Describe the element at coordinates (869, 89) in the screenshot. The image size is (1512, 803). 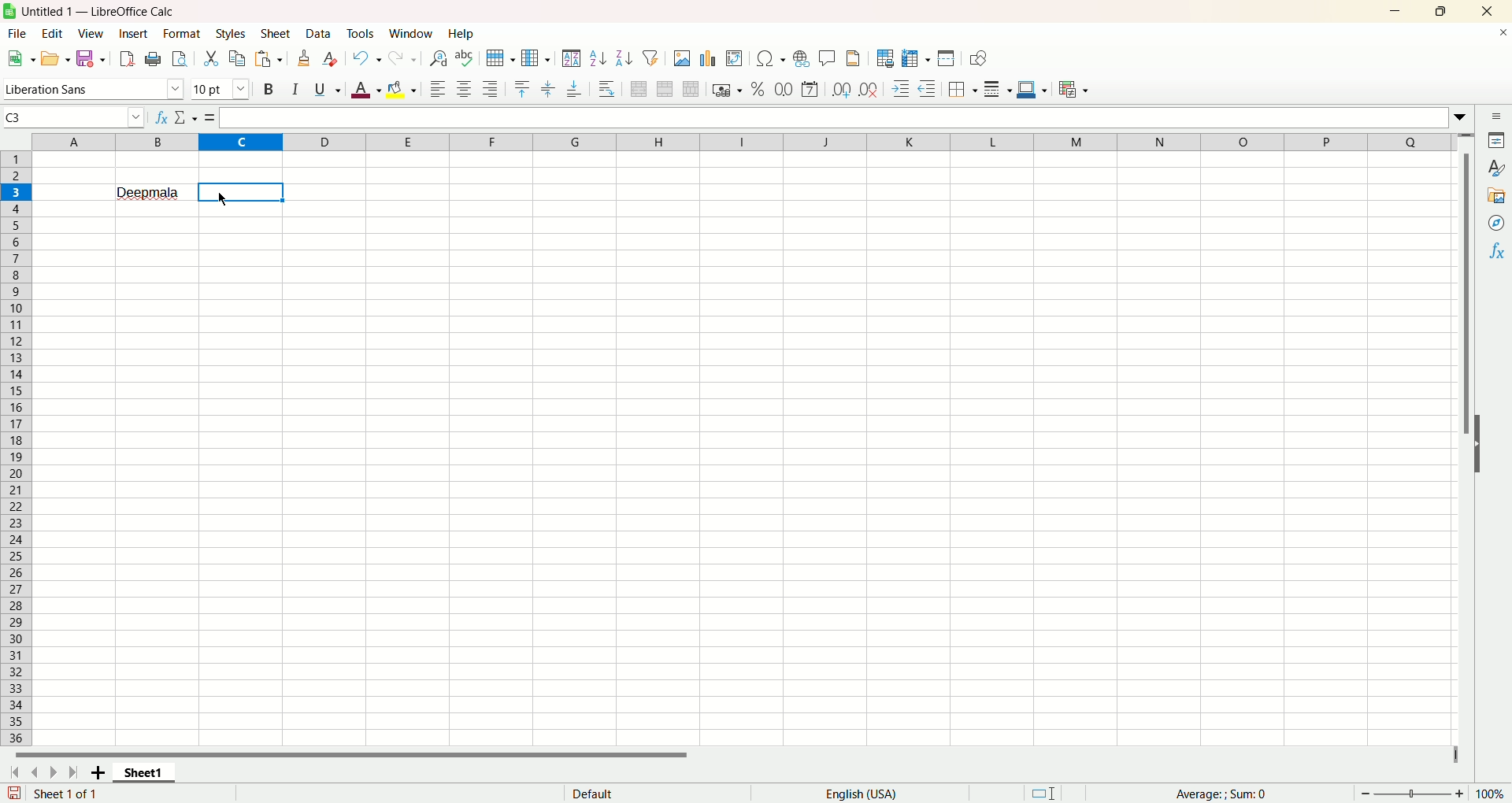
I see `Delete decimal place` at that location.